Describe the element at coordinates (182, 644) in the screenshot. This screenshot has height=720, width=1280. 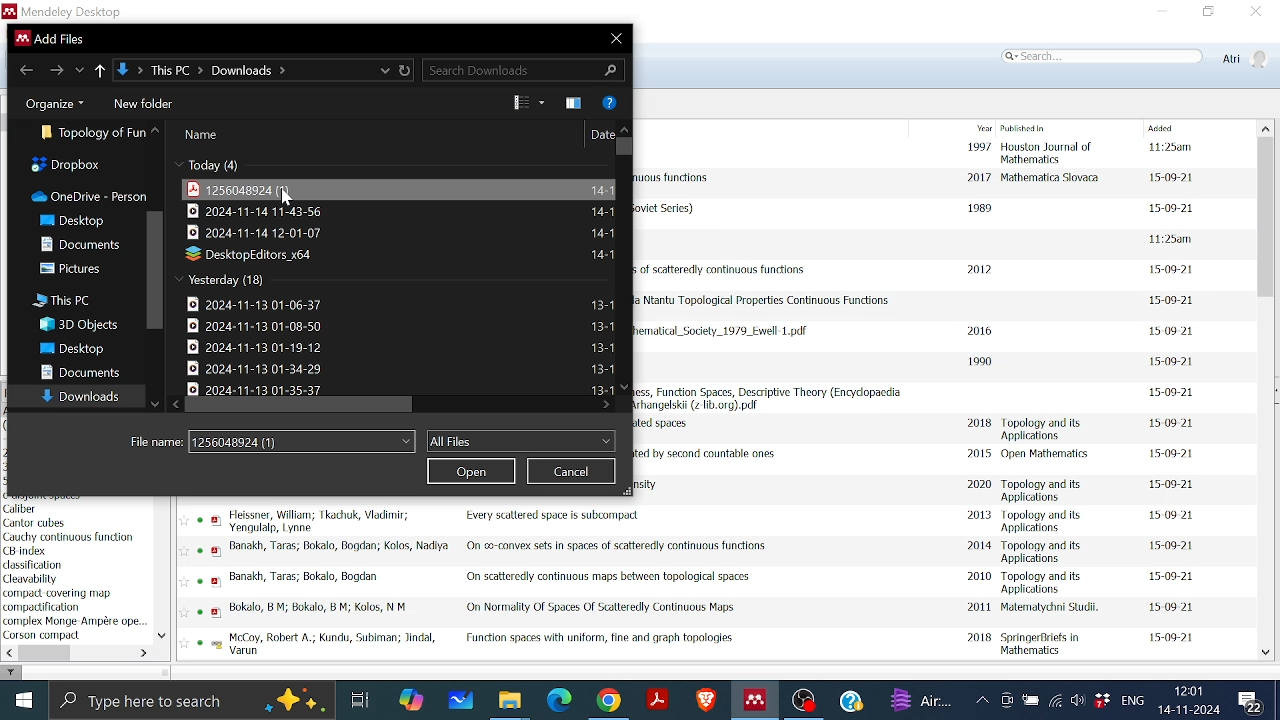
I see `Favourite` at that location.